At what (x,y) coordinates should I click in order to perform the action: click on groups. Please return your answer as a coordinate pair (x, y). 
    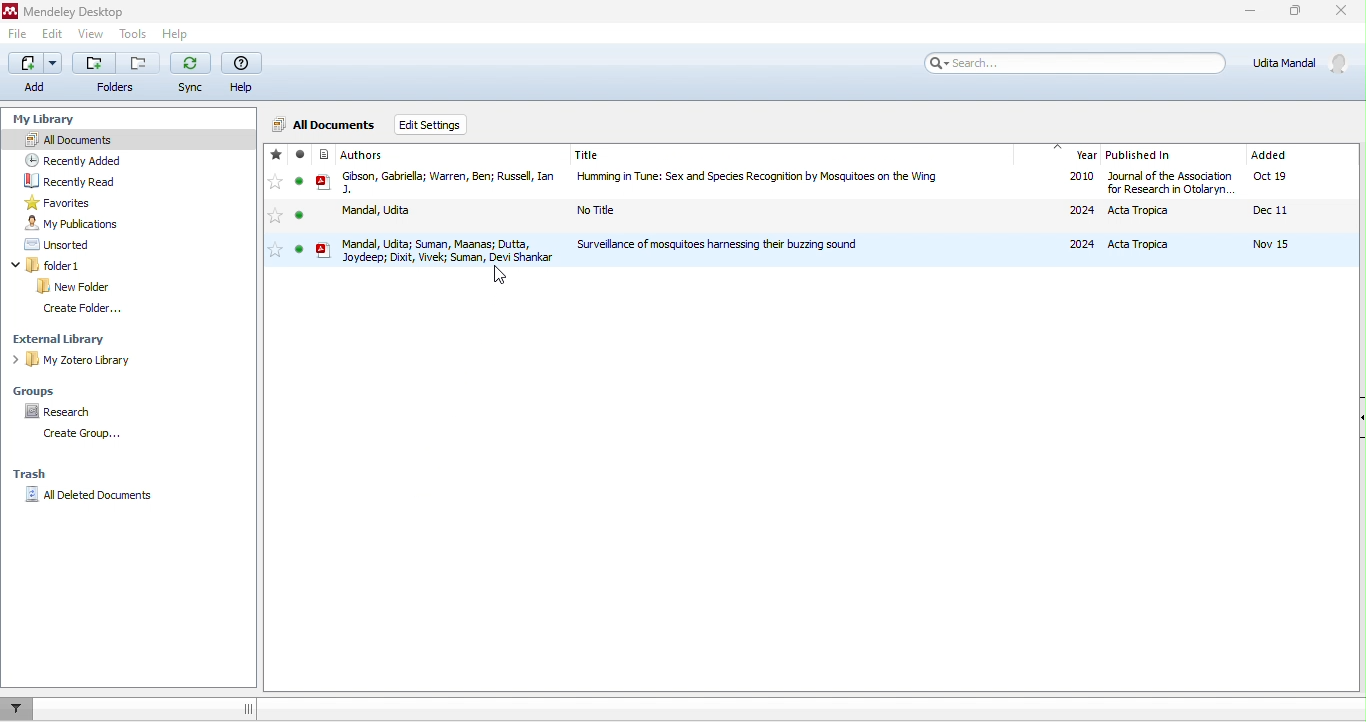
    Looking at the image, I should click on (40, 391).